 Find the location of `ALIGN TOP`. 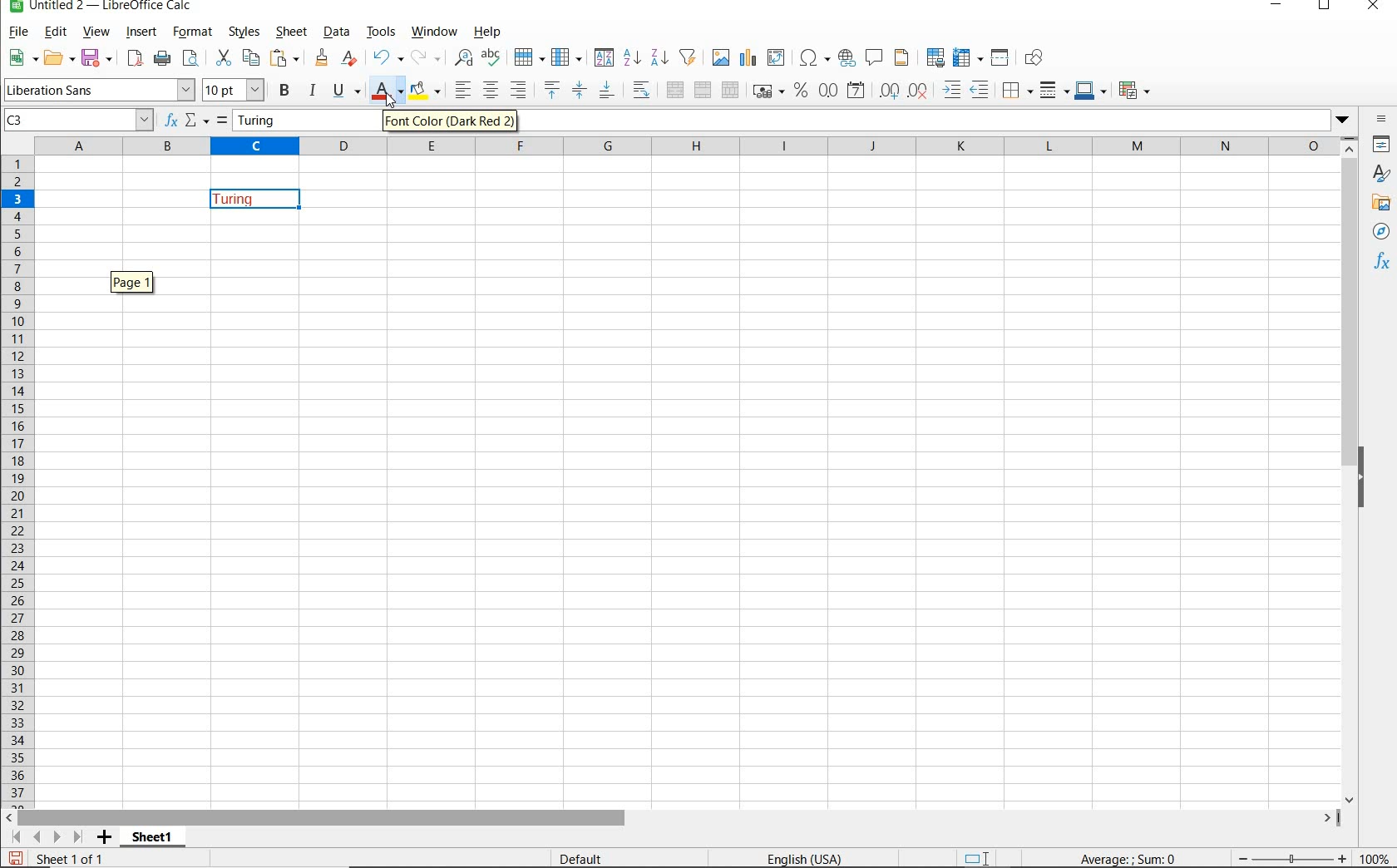

ALIGN TOP is located at coordinates (552, 90).